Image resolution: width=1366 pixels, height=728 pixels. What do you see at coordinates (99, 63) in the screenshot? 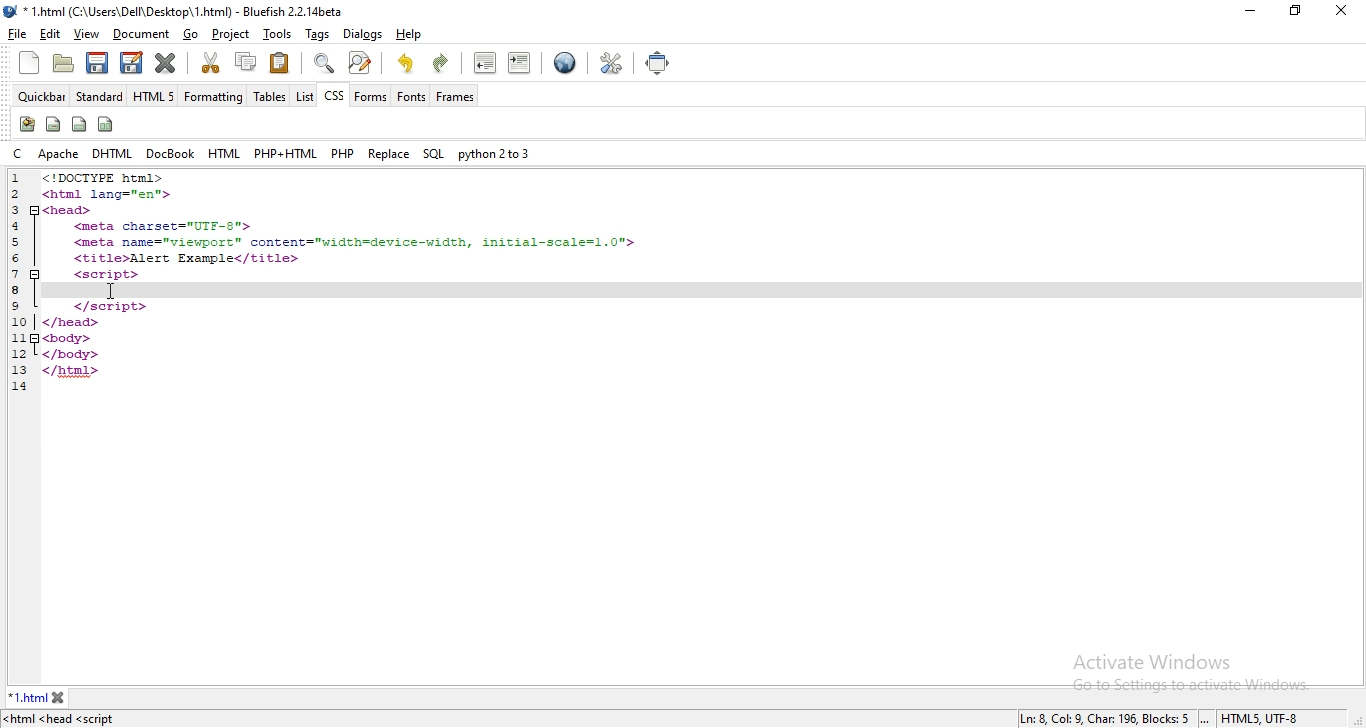
I see `save` at bounding box center [99, 63].